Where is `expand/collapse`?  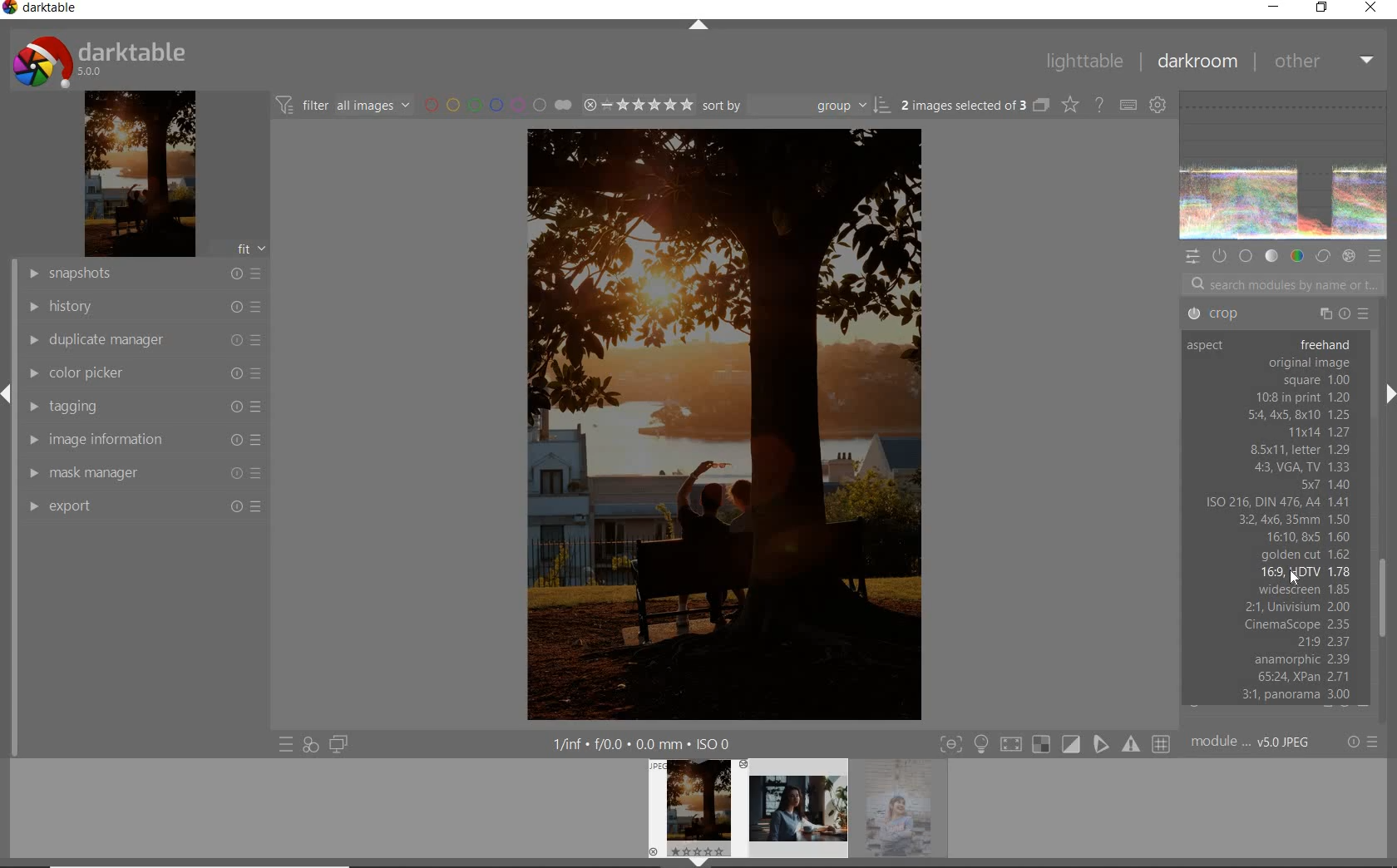
expand/collapse is located at coordinates (1389, 393).